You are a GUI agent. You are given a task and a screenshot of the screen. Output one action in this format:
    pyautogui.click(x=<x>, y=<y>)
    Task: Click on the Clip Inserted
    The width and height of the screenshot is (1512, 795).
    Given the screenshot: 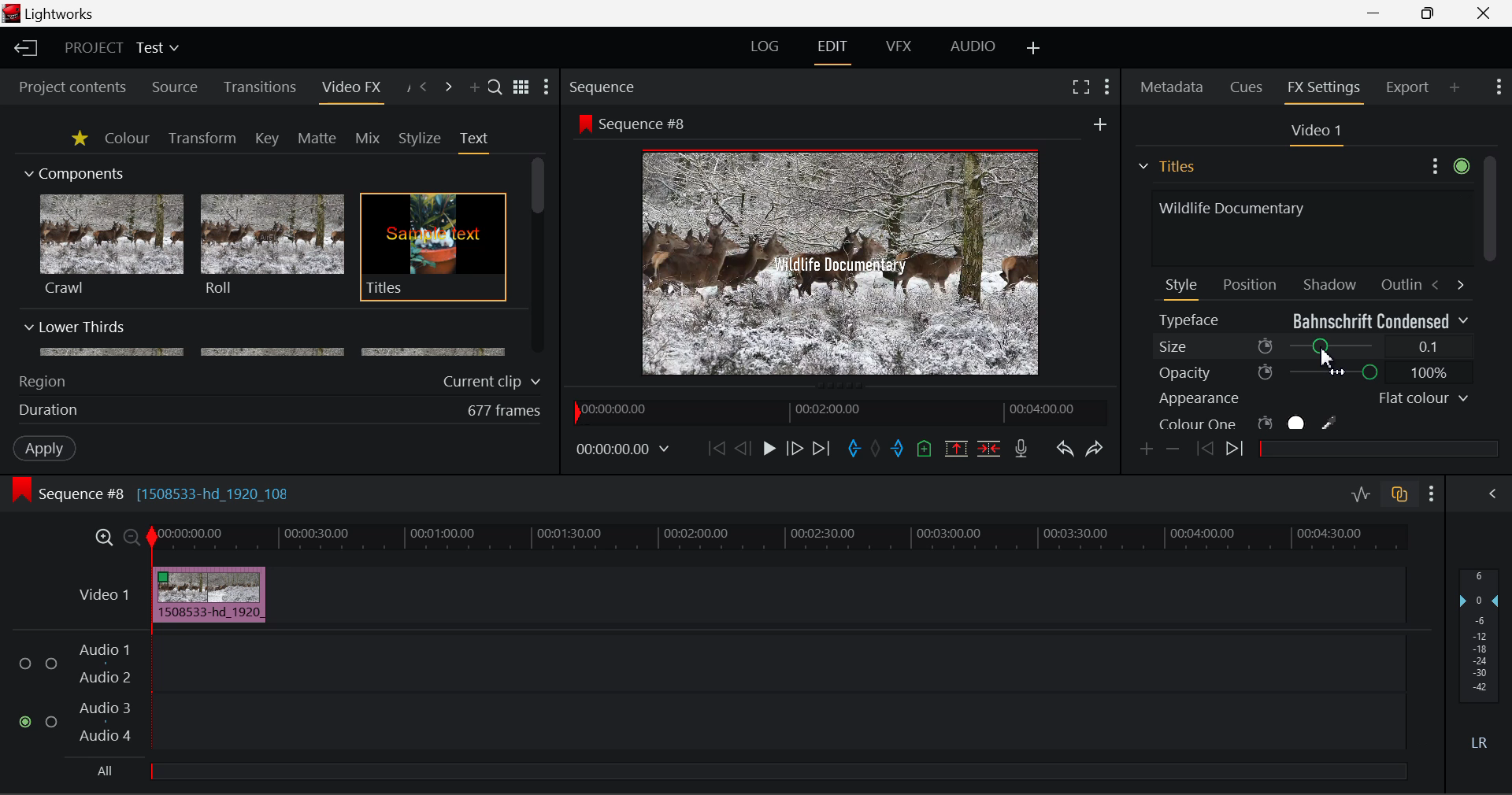 What is the action you would take?
    pyautogui.click(x=205, y=595)
    